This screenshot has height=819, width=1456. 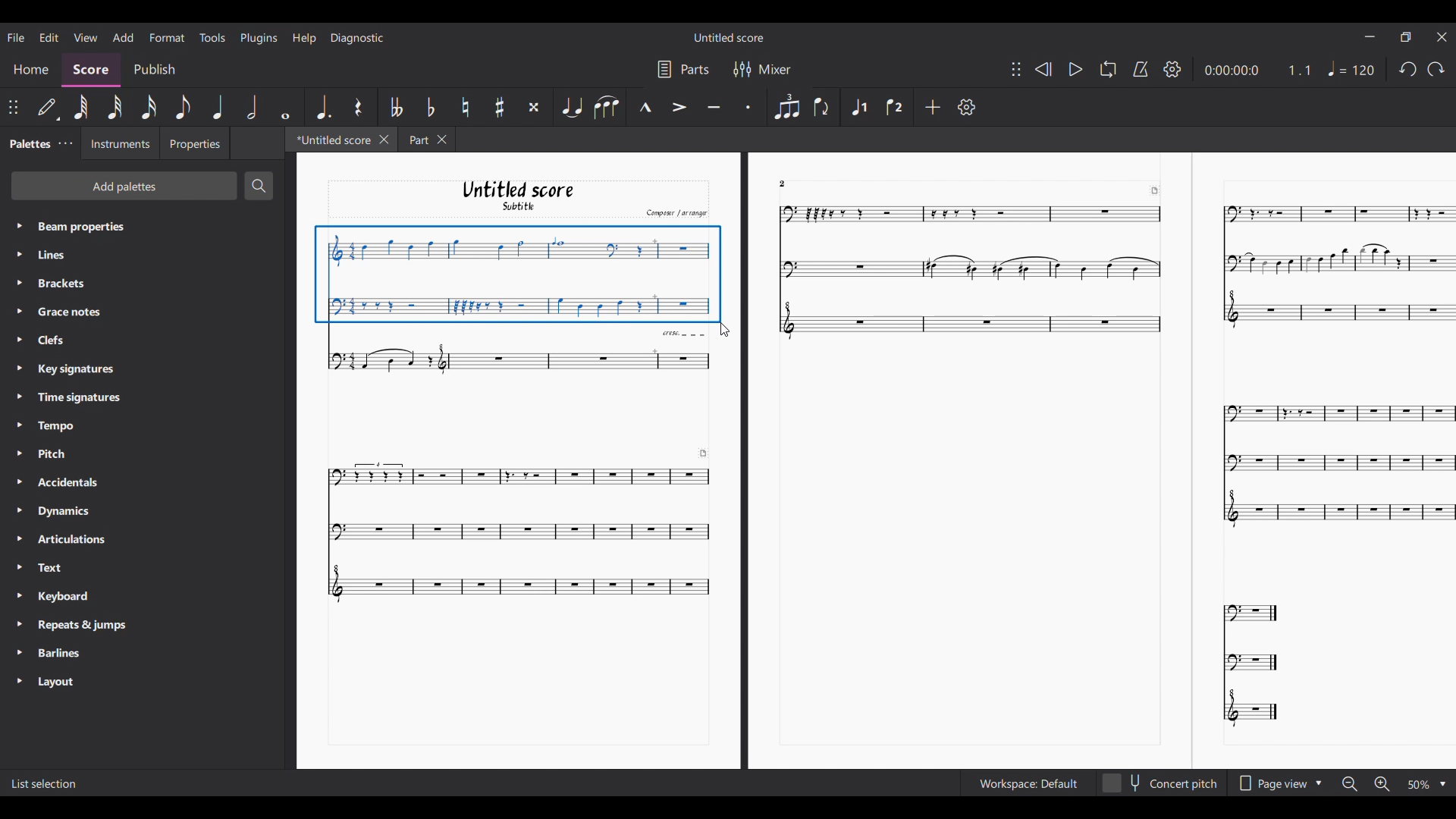 I want to click on Untitled Score, so click(x=729, y=37).